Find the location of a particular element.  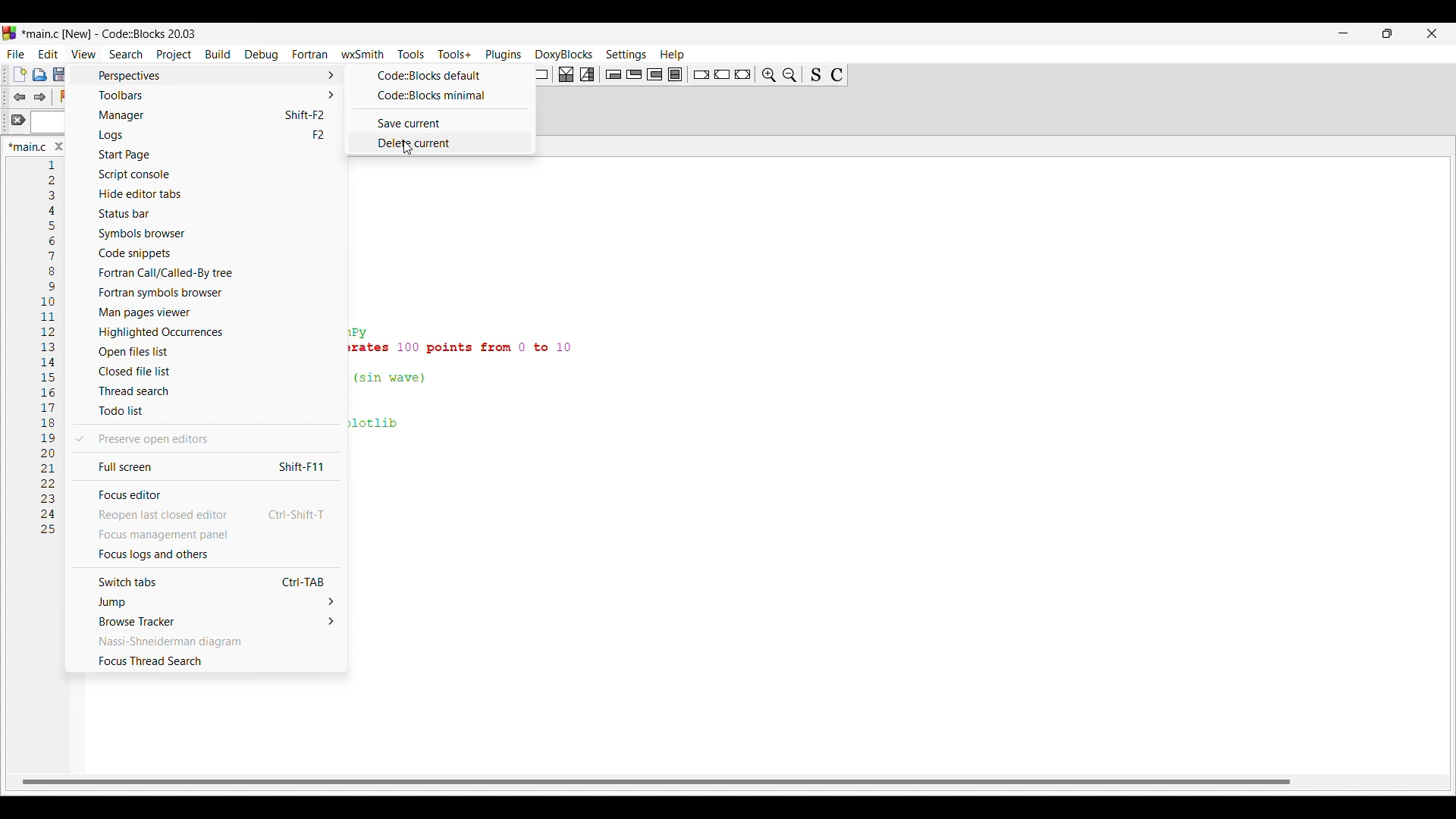

Jump forward is located at coordinates (40, 97).